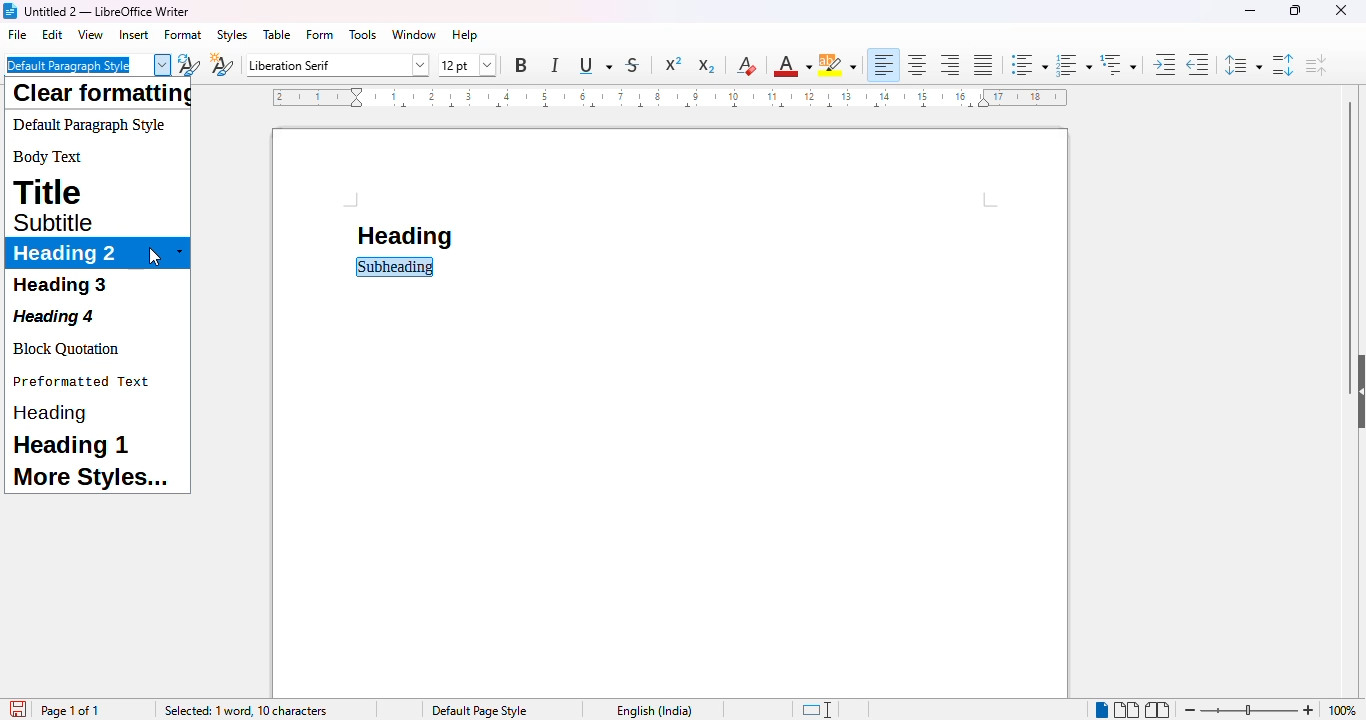 The image size is (1366, 720). Describe the element at coordinates (17, 34) in the screenshot. I see `file` at that location.